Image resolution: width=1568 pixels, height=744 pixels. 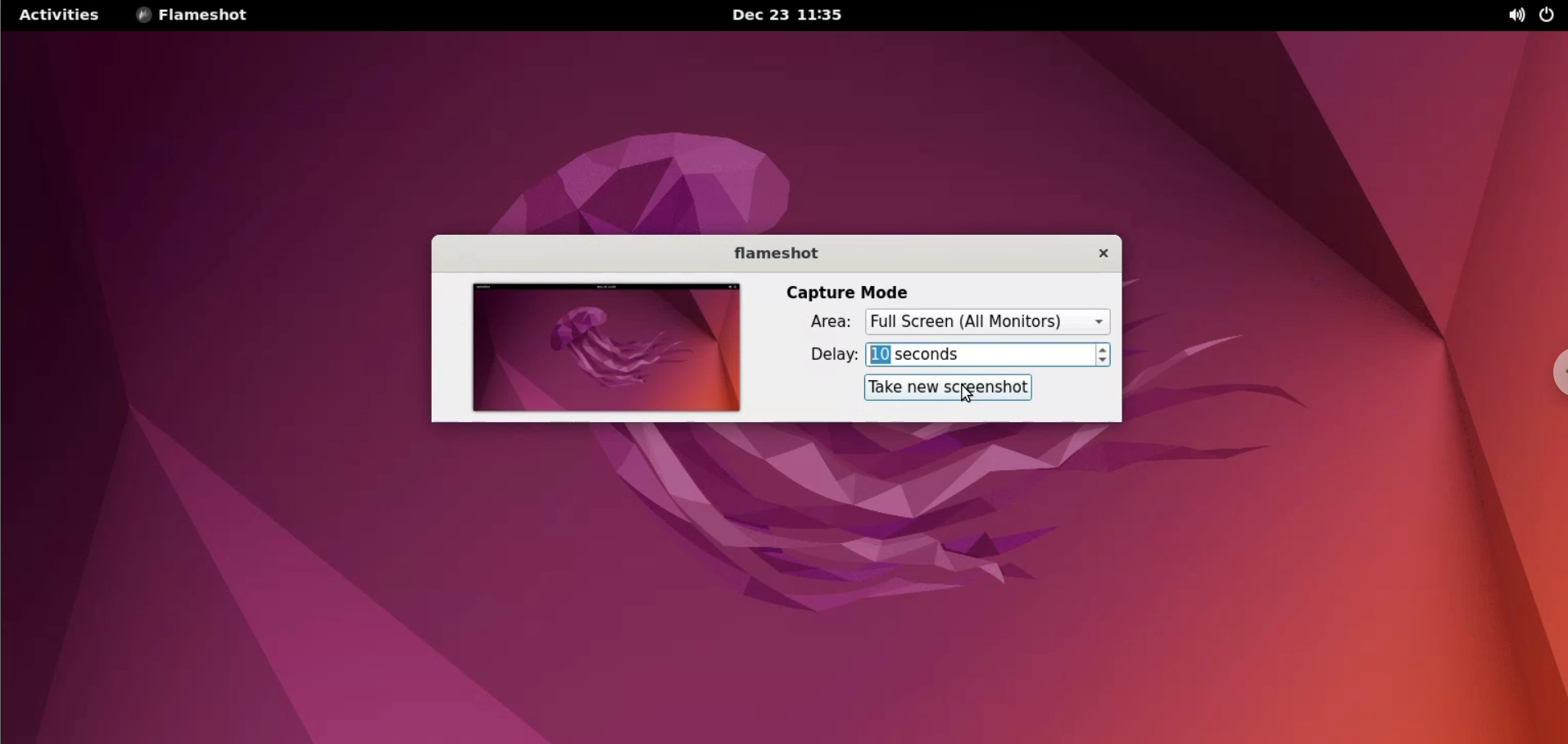 I want to click on activities, so click(x=59, y=15).